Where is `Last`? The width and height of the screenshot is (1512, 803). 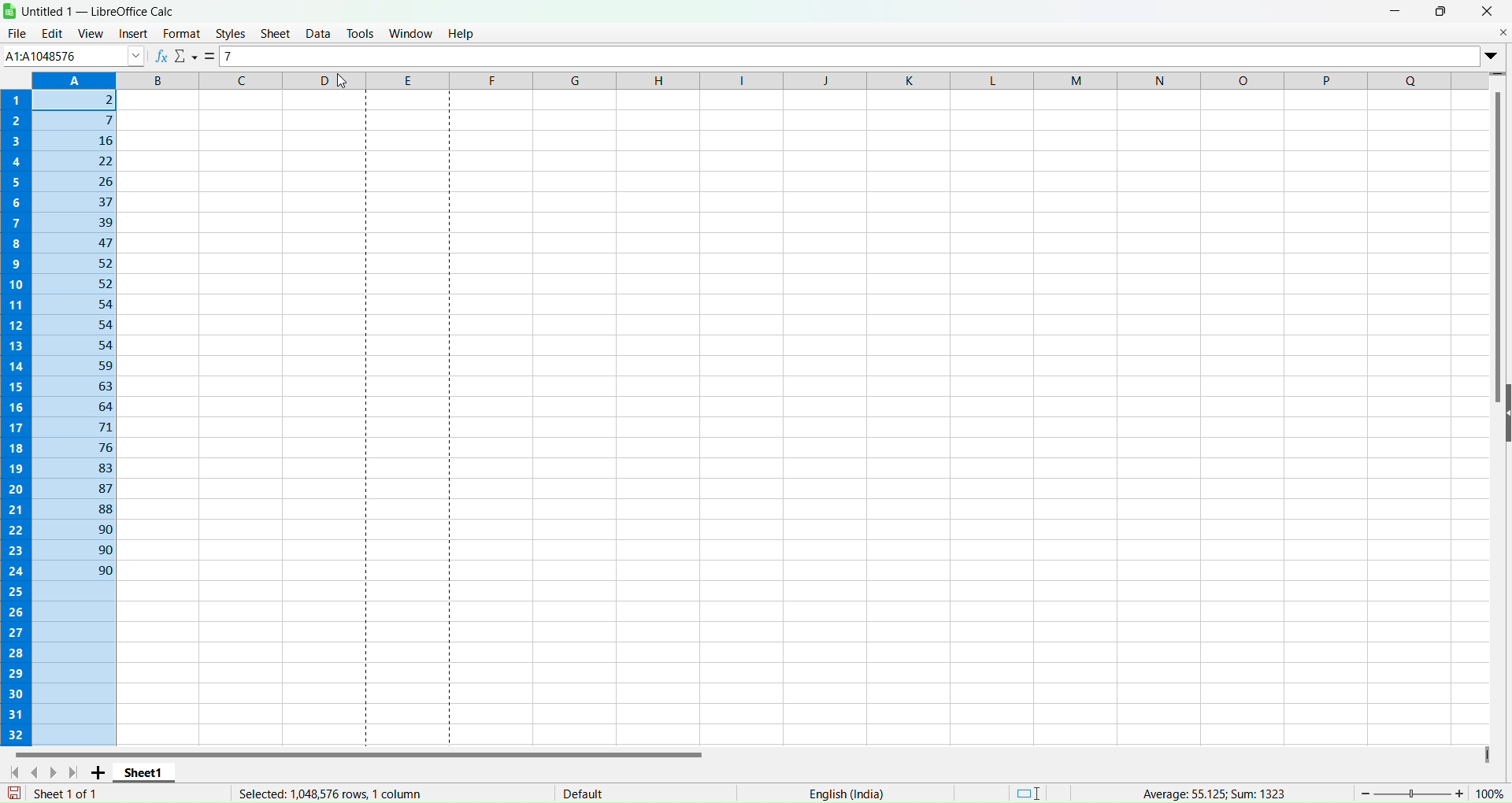
Last is located at coordinates (76, 772).